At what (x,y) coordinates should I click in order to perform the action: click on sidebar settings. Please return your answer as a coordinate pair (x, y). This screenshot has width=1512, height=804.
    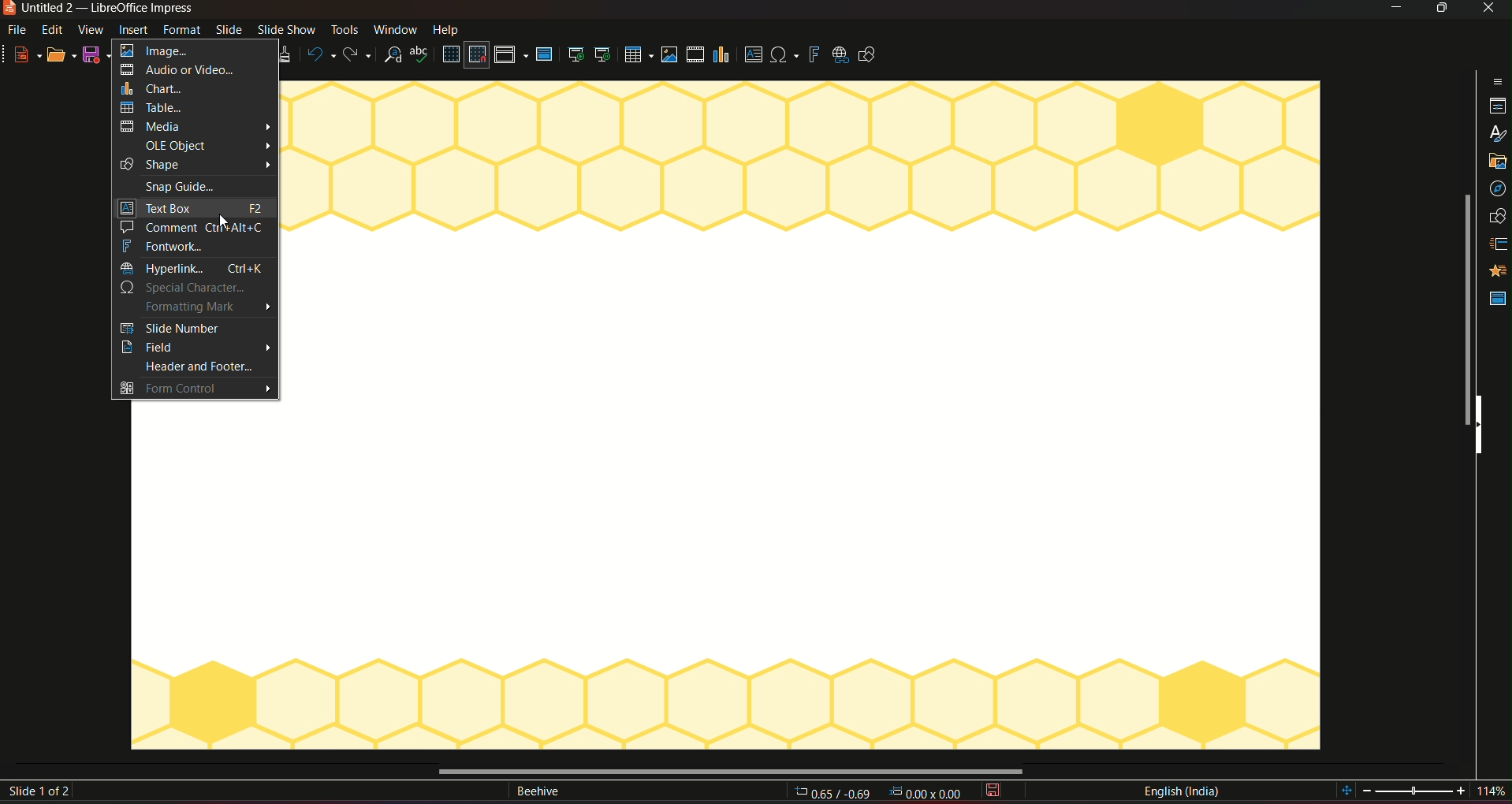
    Looking at the image, I should click on (1497, 80).